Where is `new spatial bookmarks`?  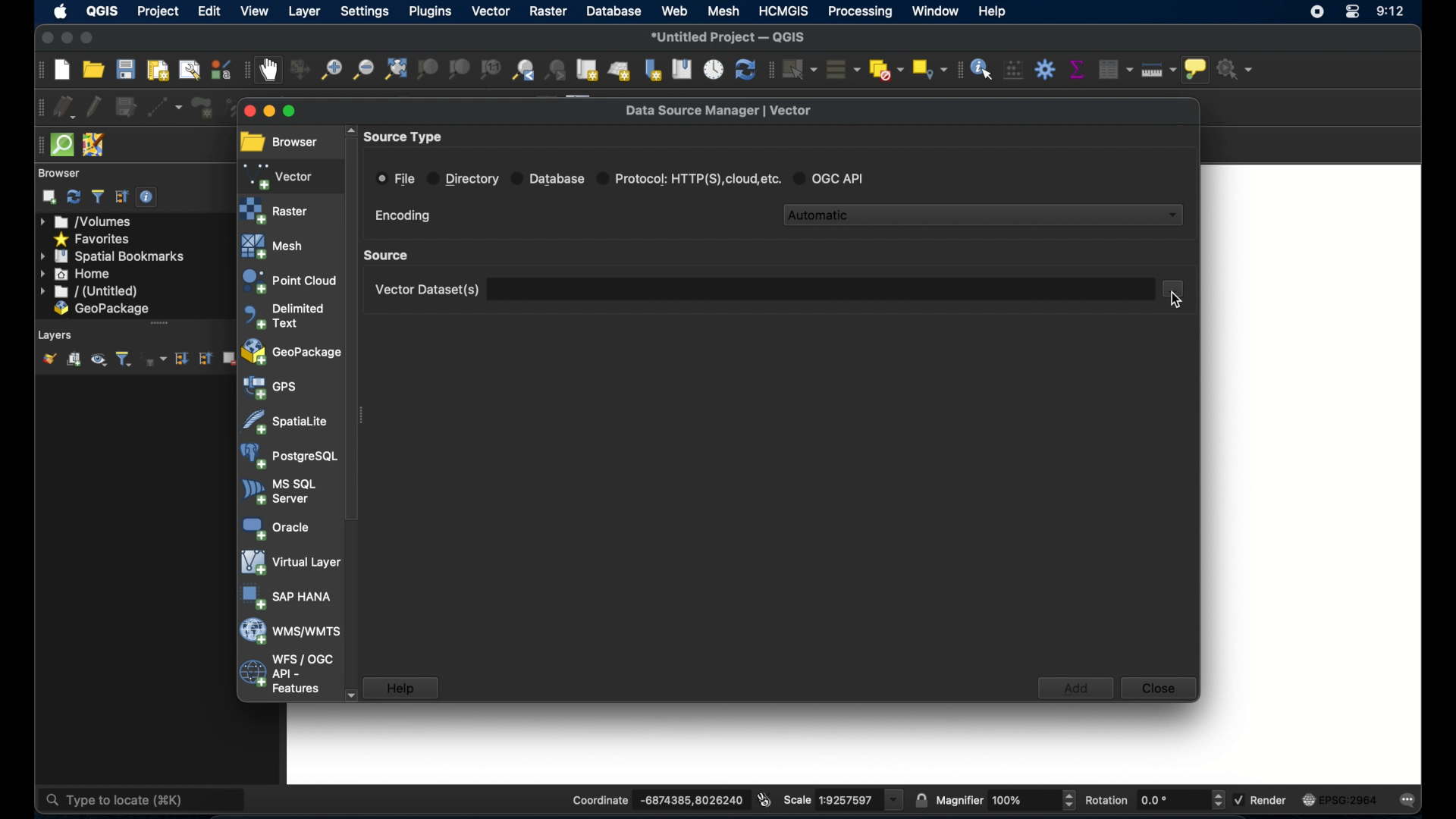
new spatial bookmarks is located at coordinates (652, 69).